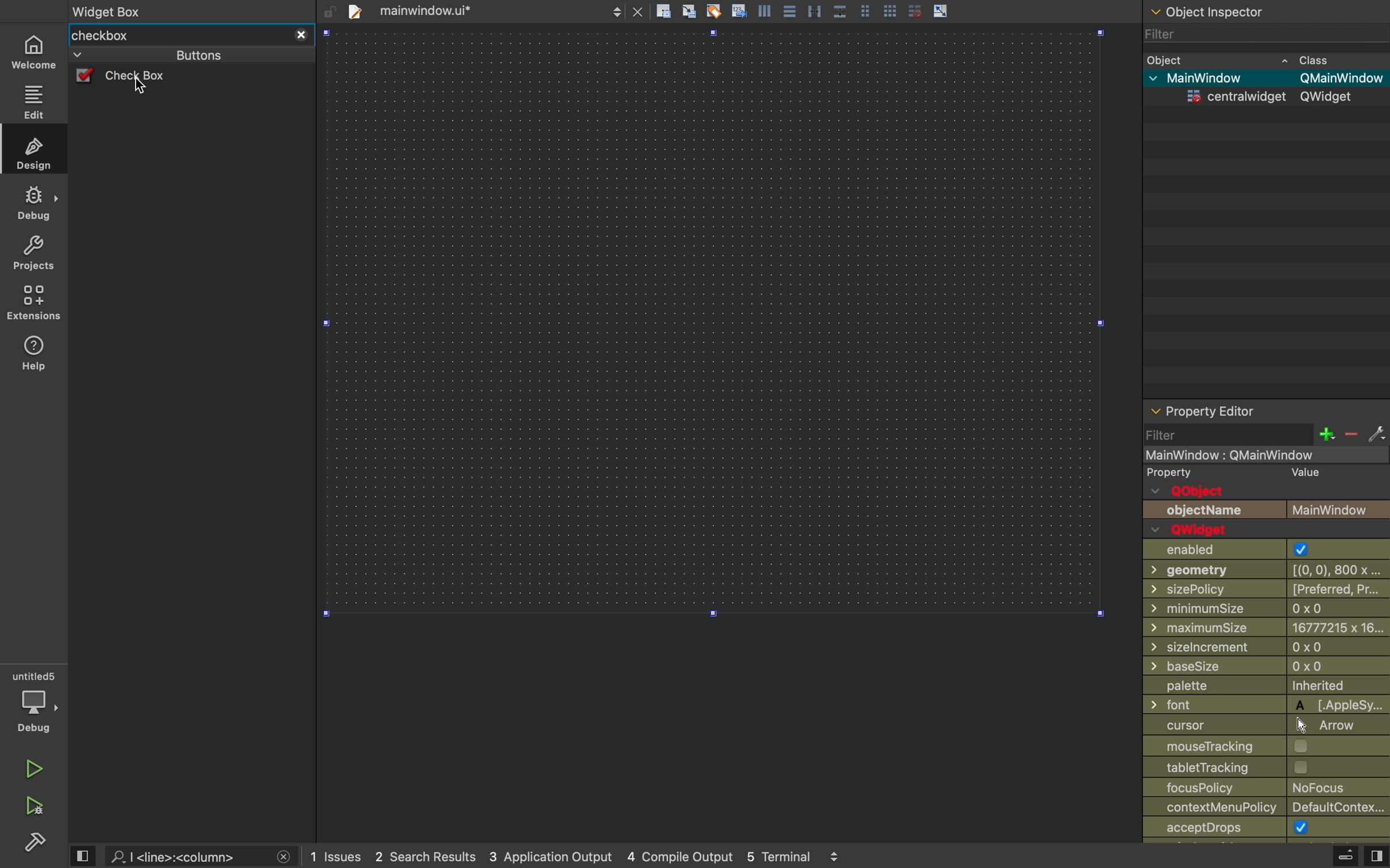  What do you see at coordinates (31, 254) in the screenshot?
I see `projects` at bounding box center [31, 254].